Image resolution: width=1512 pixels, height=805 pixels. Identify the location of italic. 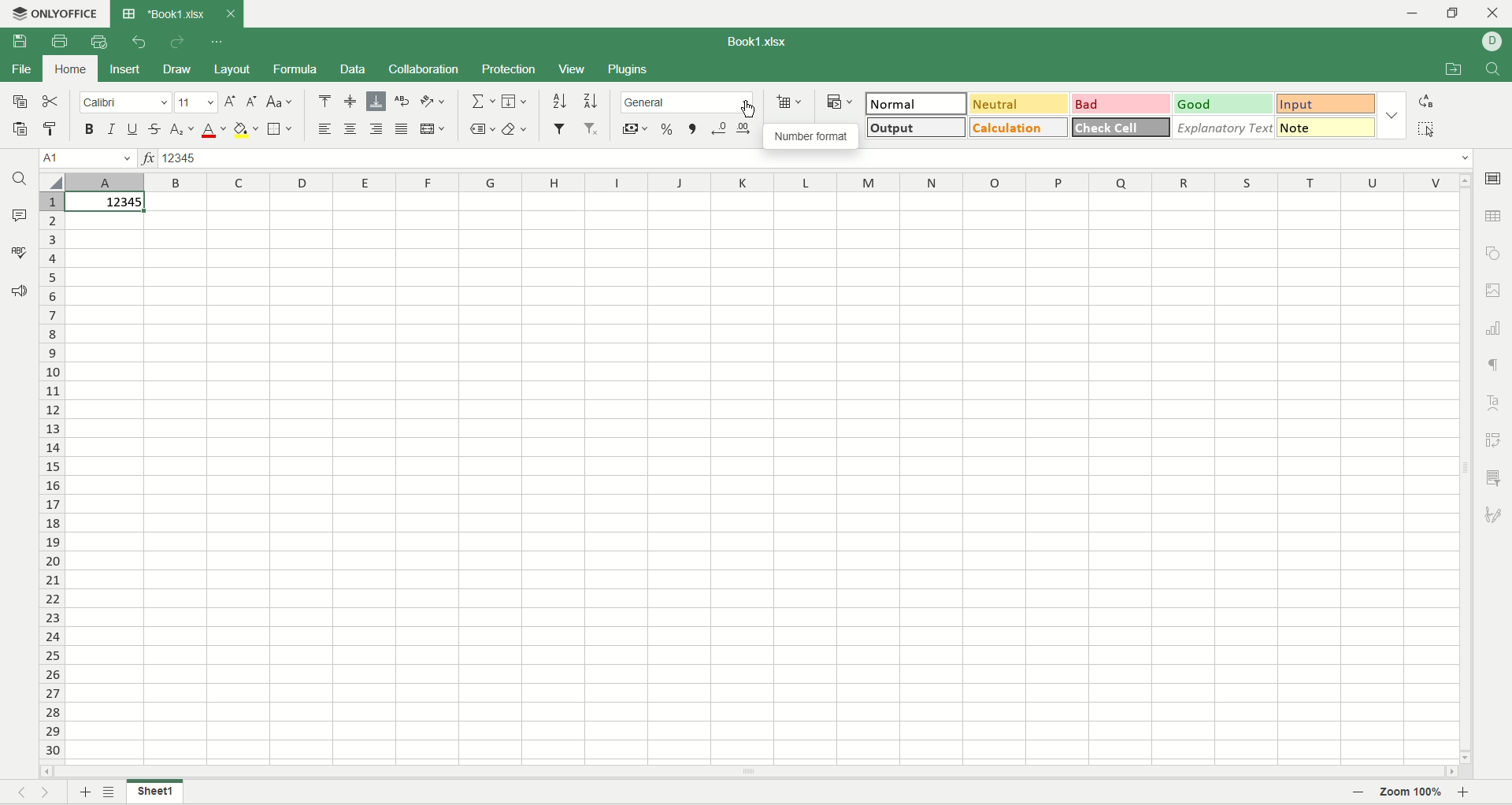
(112, 128).